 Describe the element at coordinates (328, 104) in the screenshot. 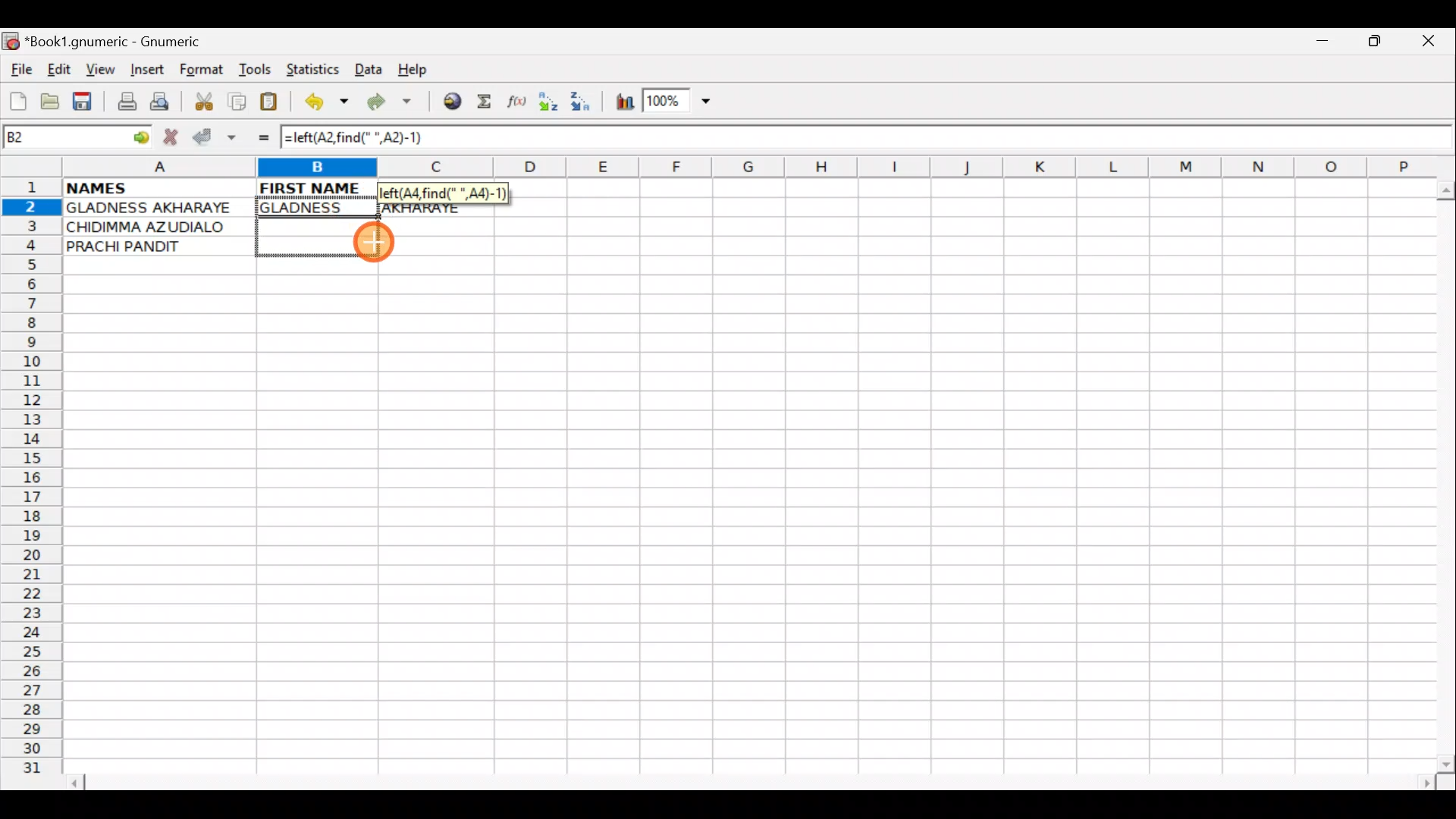

I see `Undo last action` at that location.